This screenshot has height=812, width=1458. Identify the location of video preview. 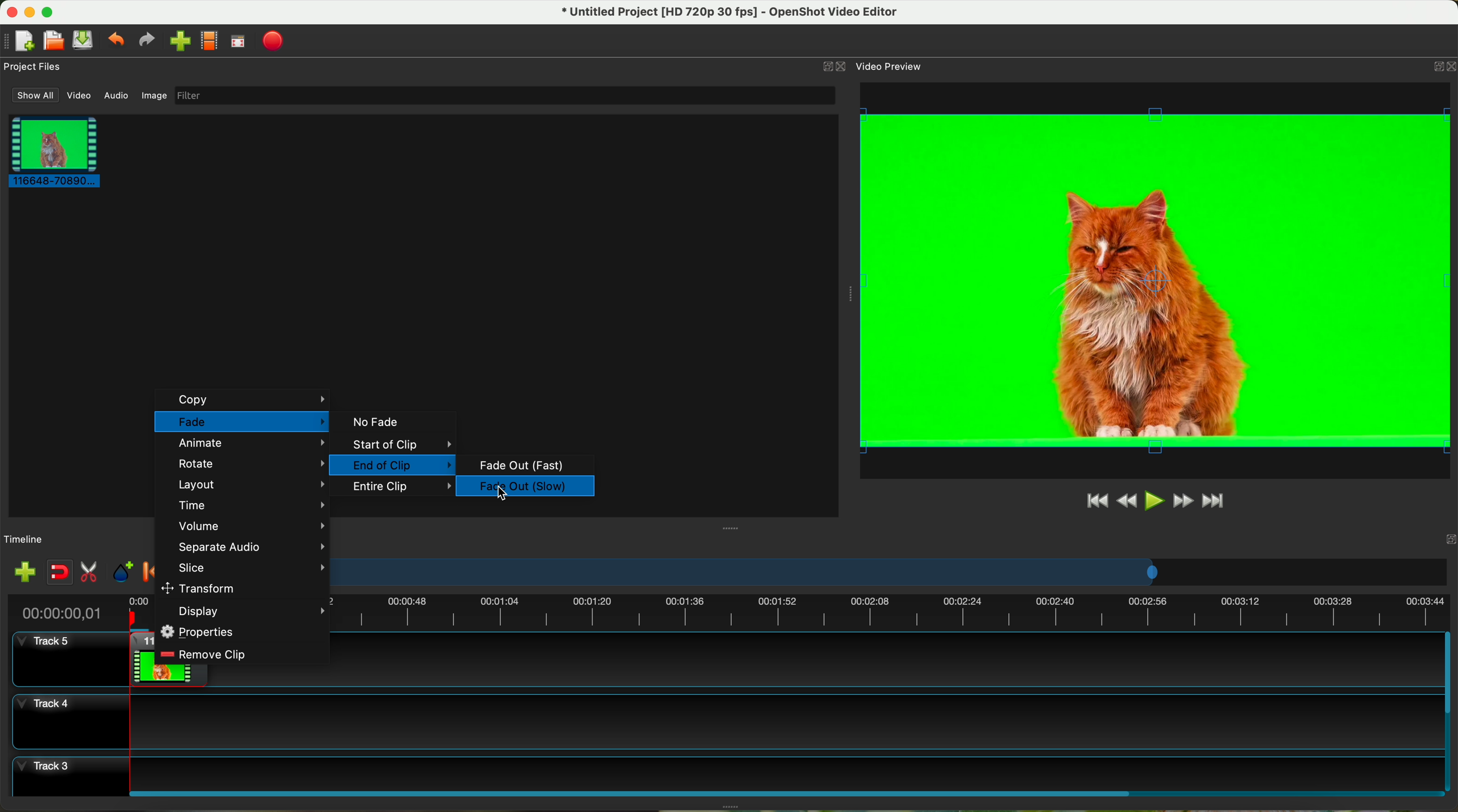
(891, 66).